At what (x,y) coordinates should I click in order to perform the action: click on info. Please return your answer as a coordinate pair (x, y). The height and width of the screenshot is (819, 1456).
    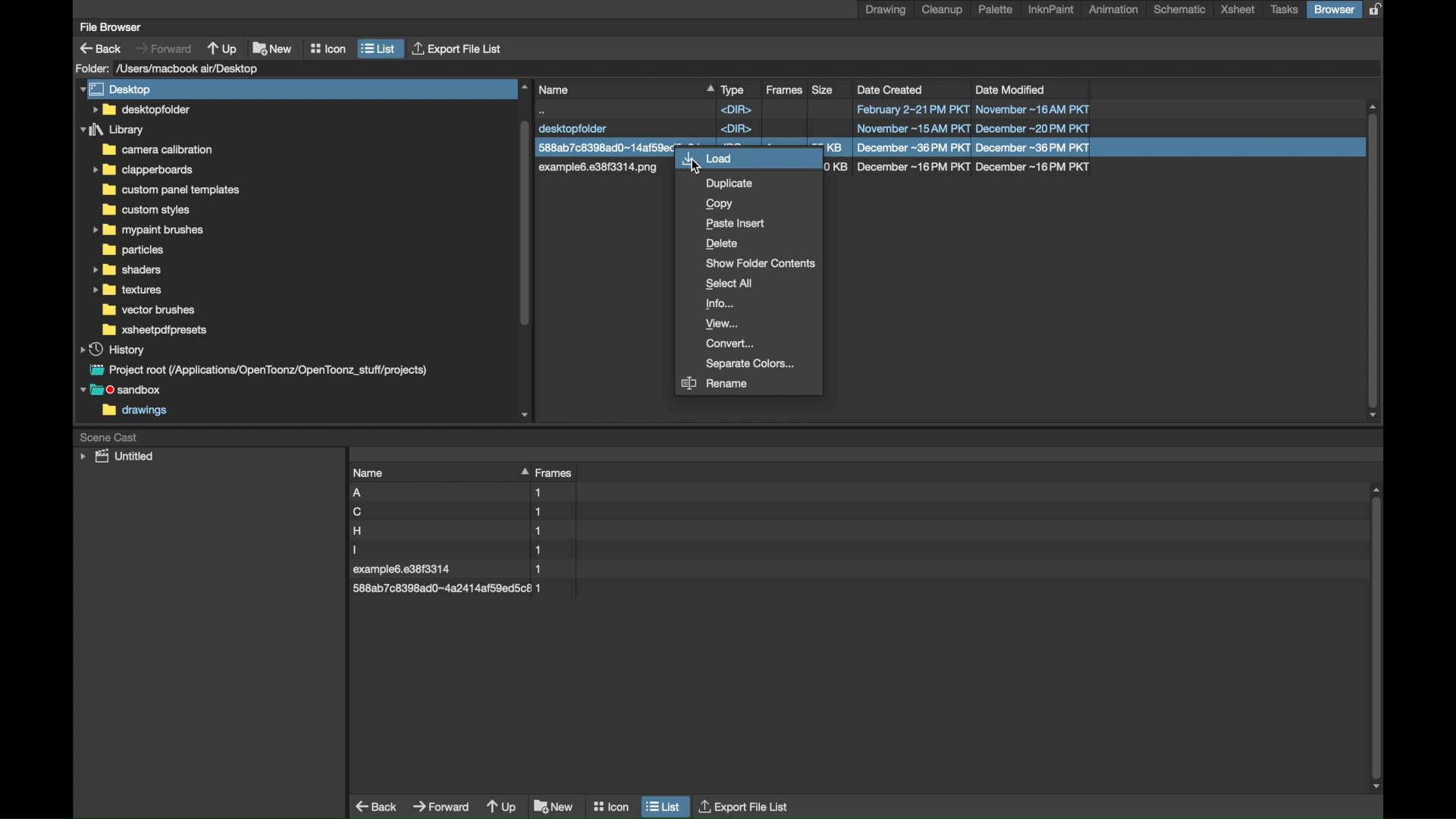
    Looking at the image, I should click on (720, 304).